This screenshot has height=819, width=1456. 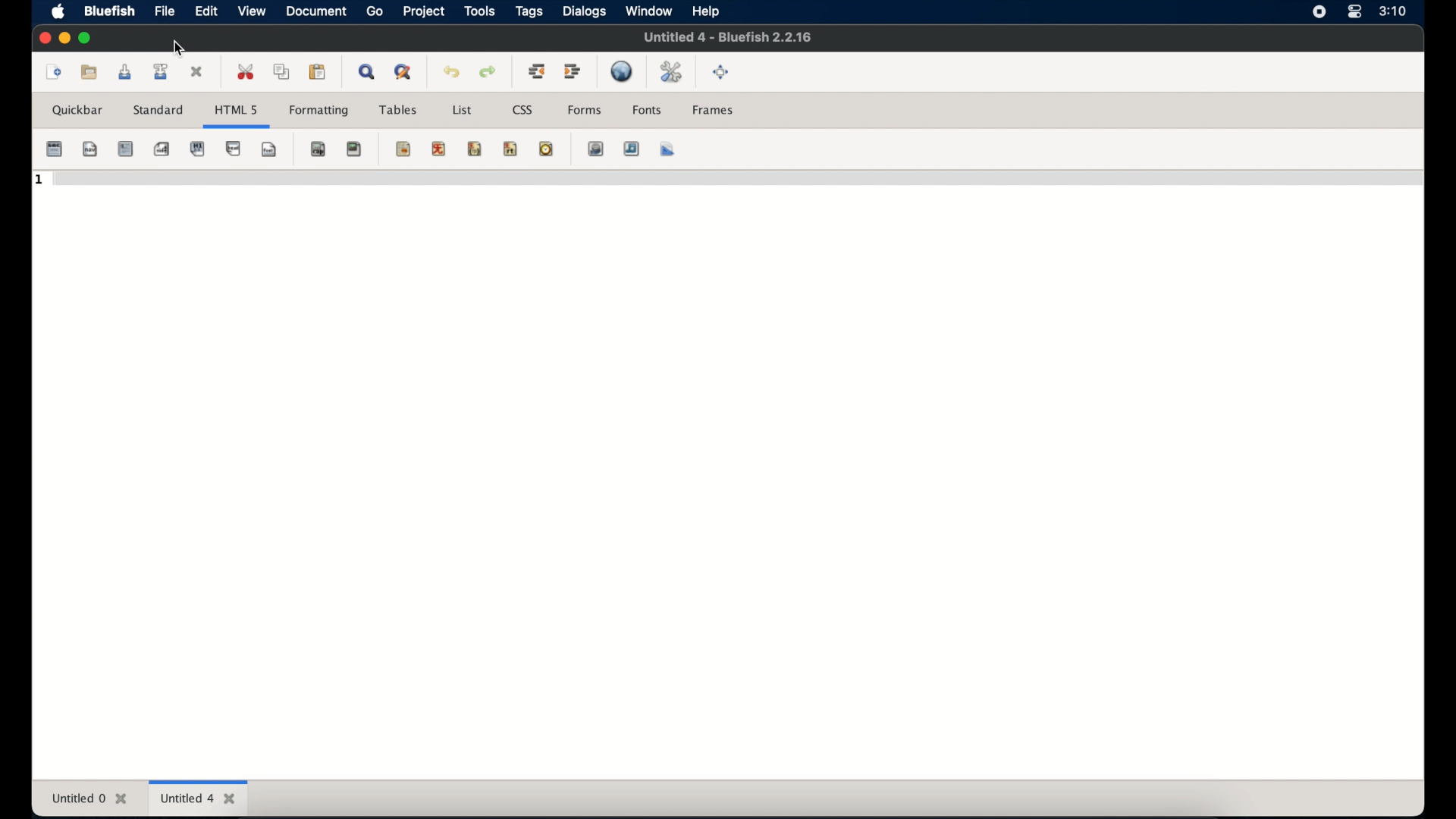 I want to click on indent, so click(x=573, y=71).